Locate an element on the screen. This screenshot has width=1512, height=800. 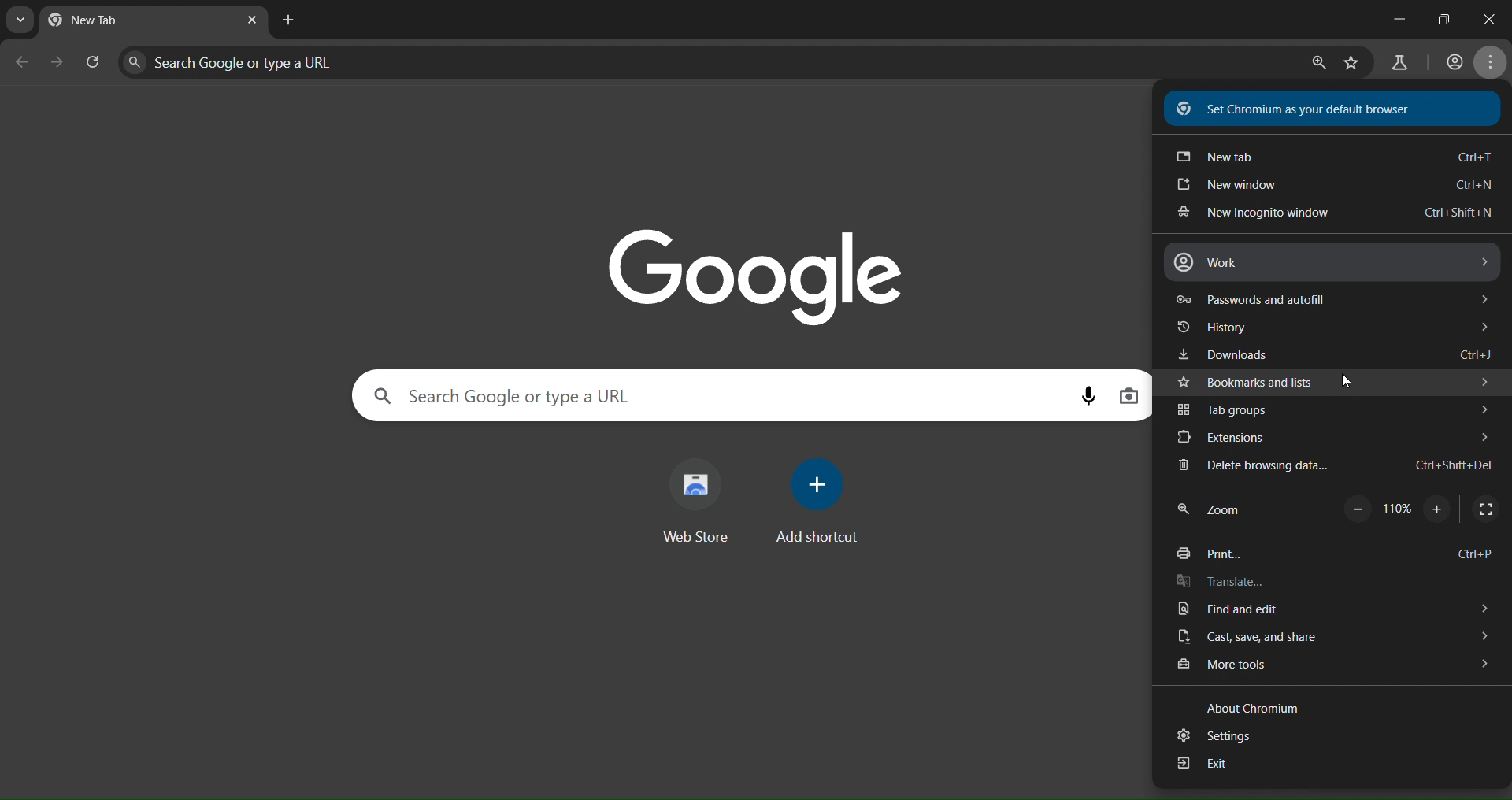
settings is located at coordinates (1221, 736).